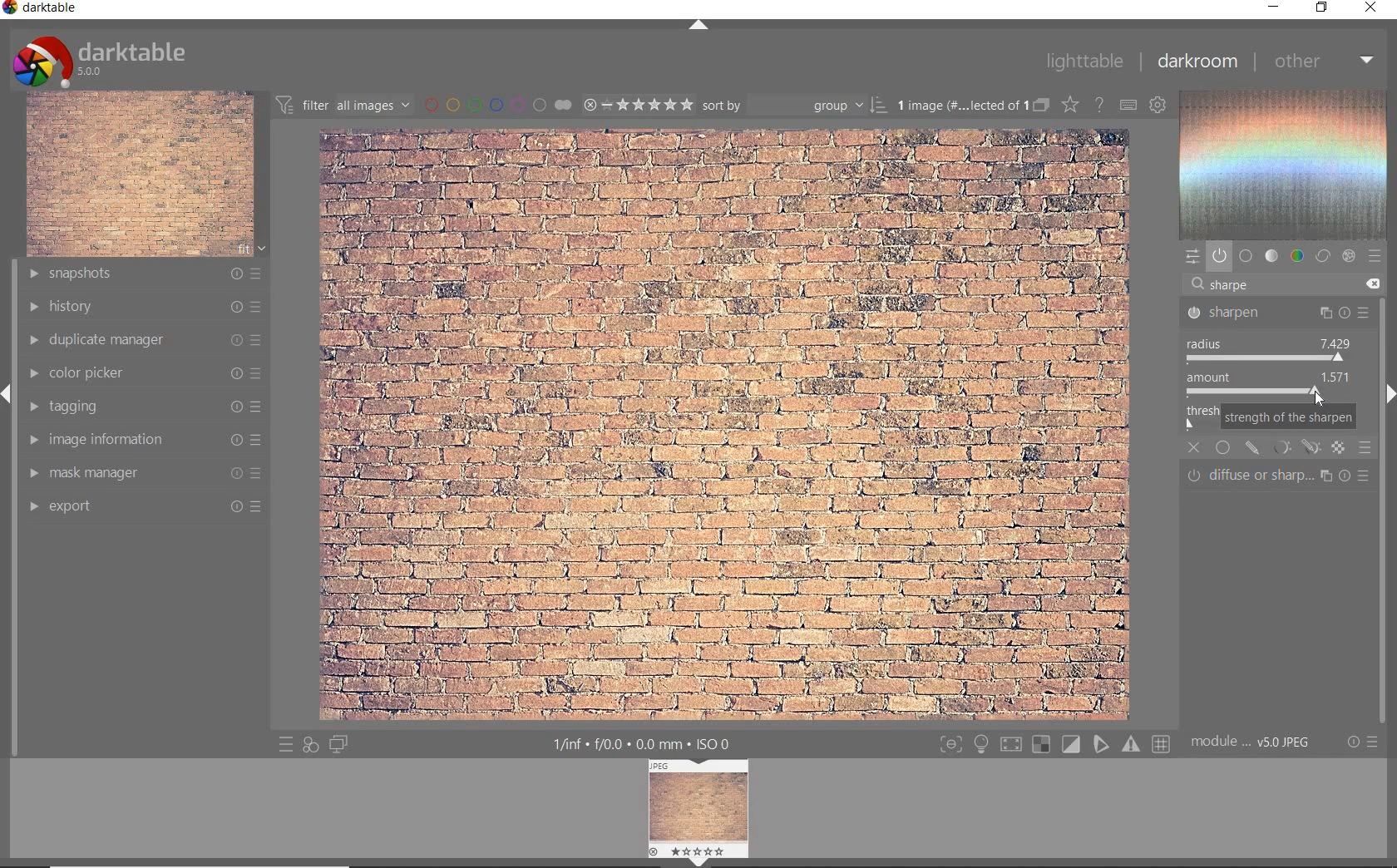 This screenshot has height=868, width=1397. Describe the element at coordinates (144, 439) in the screenshot. I see `image information` at that location.